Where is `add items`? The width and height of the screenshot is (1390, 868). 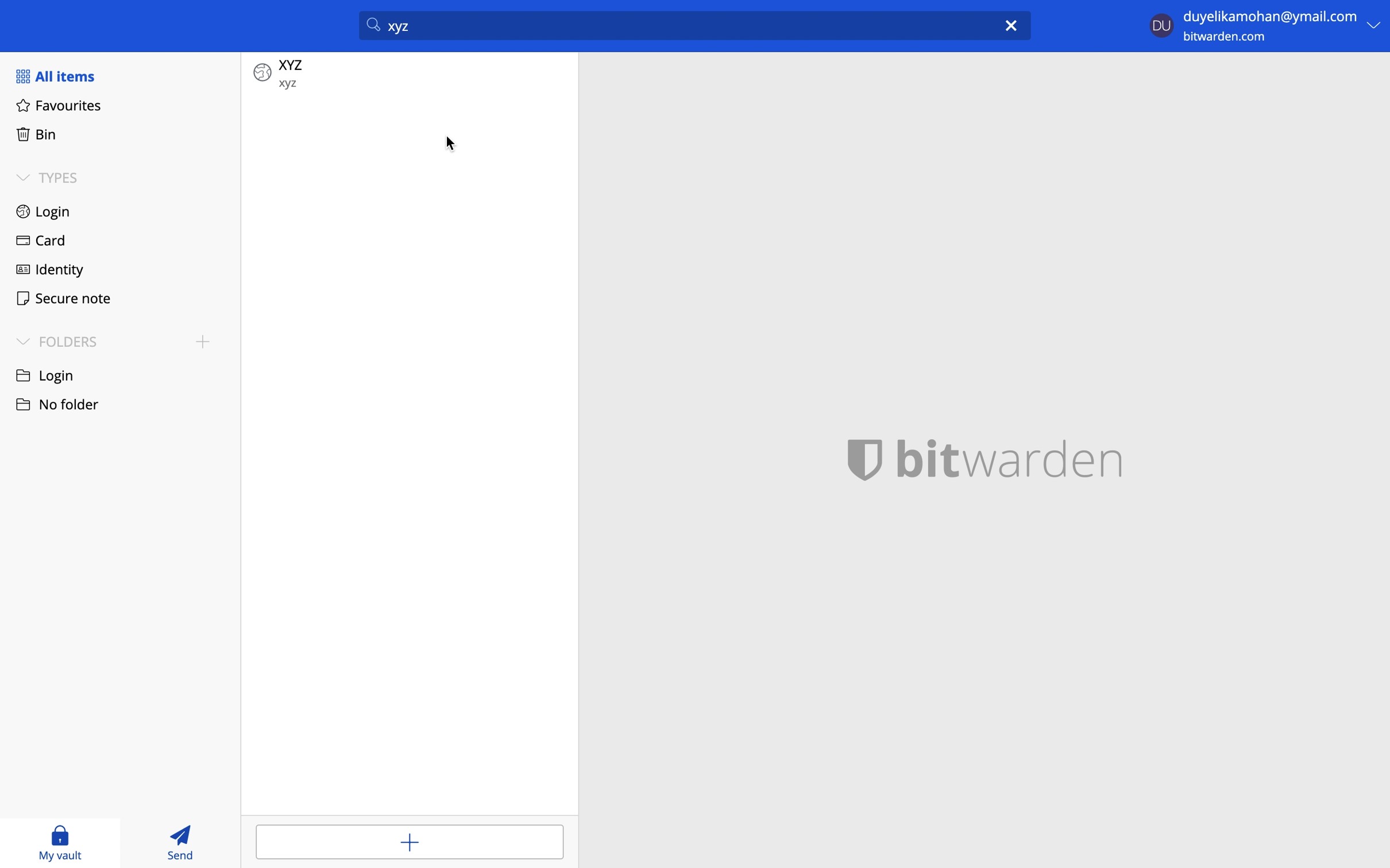
add items is located at coordinates (408, 842).